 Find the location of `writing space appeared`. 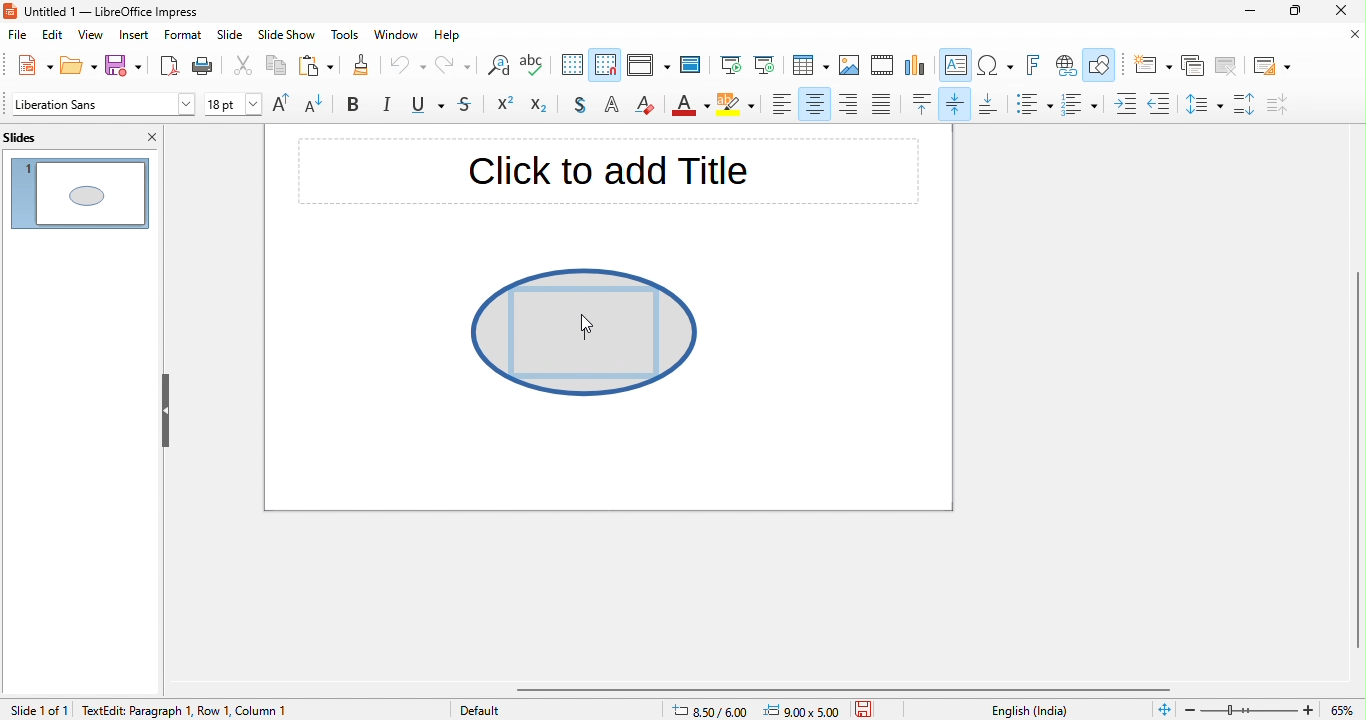

writing space appeared is located at coordinates (585, 334).